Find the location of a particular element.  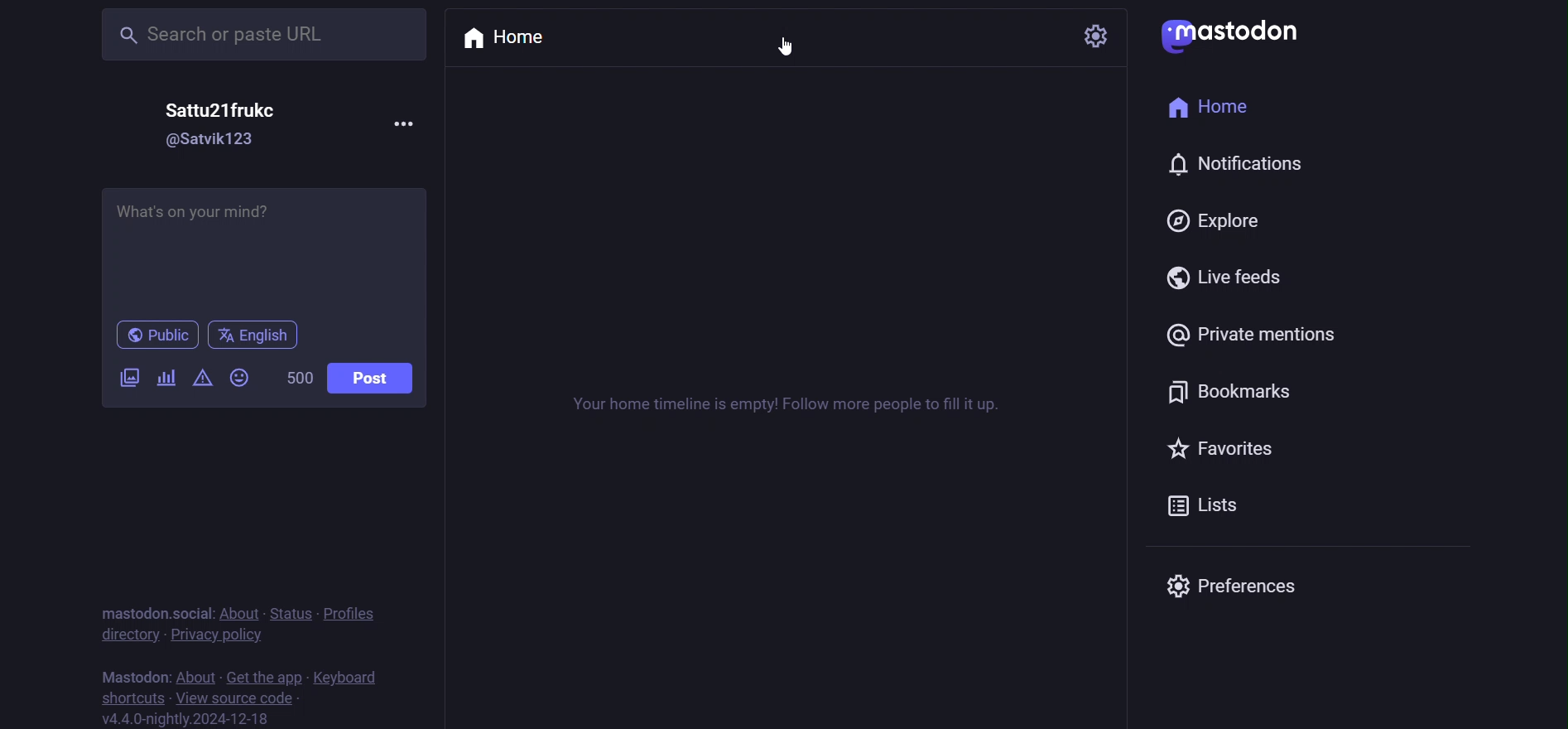

more is located at coordinates (406, 125).